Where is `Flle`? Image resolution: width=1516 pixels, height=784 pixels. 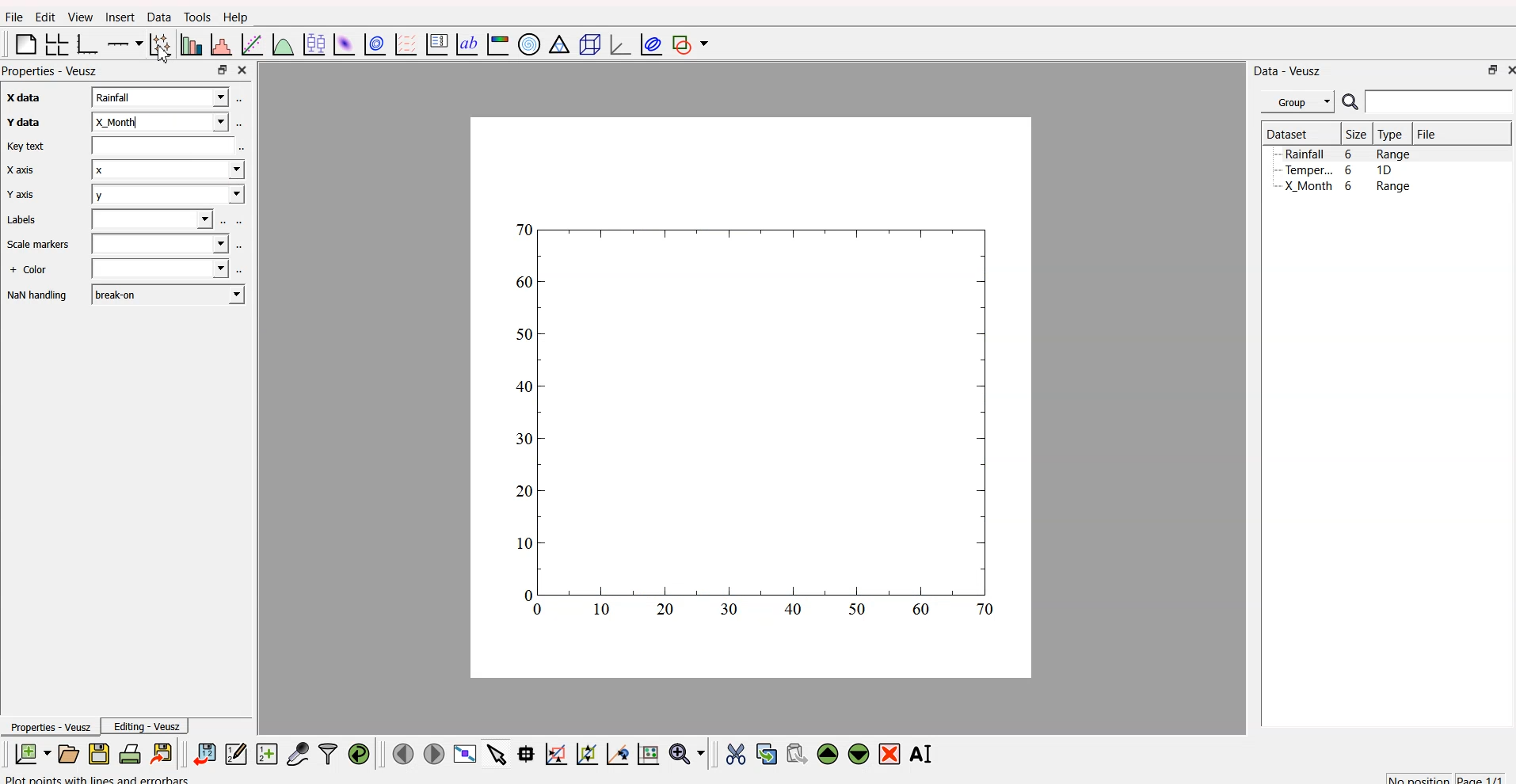 Flle is located at coordinates (14, 19).